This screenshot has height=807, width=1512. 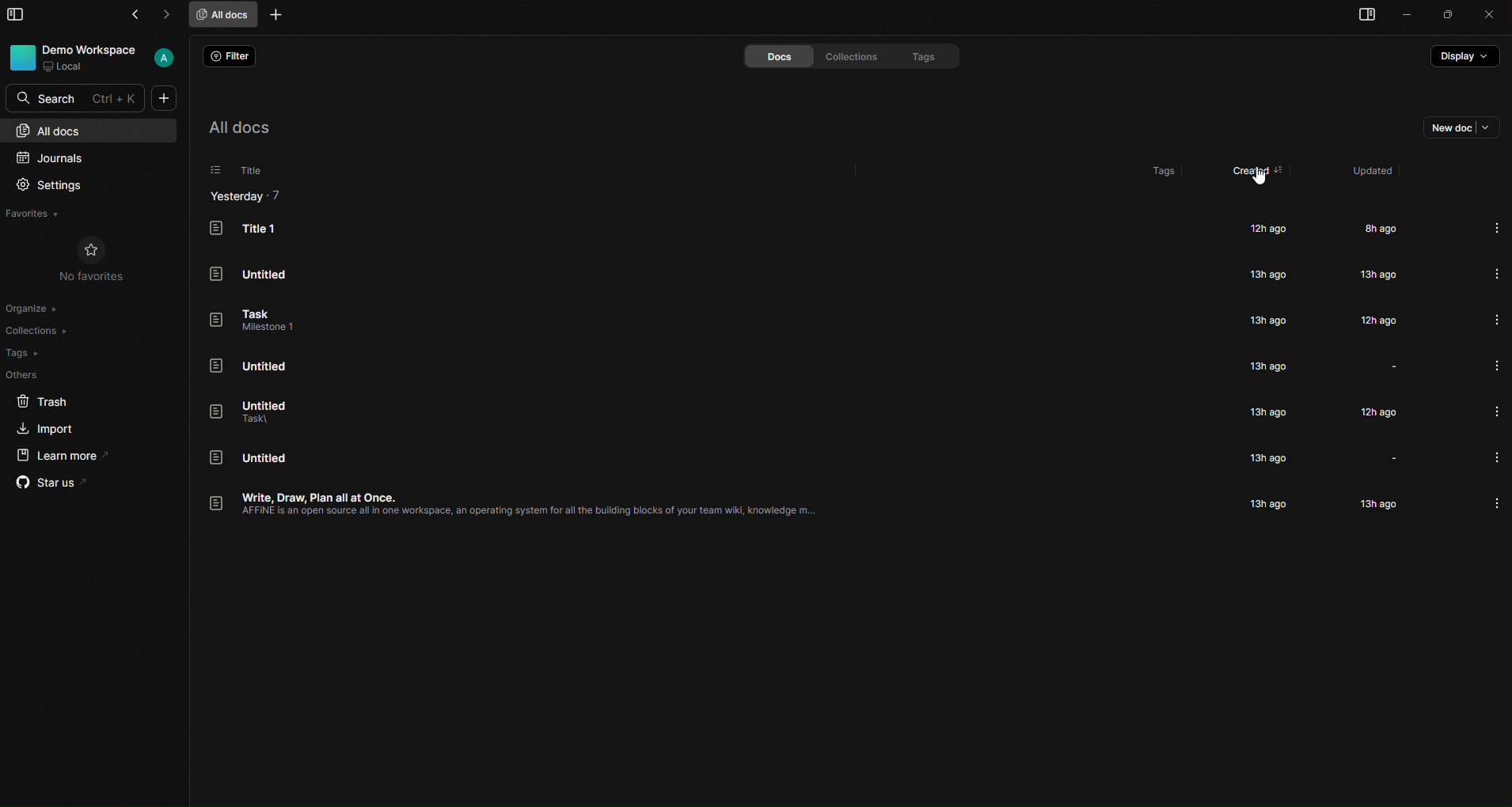 I want to click on Untitled, so click(x=248, y=413).